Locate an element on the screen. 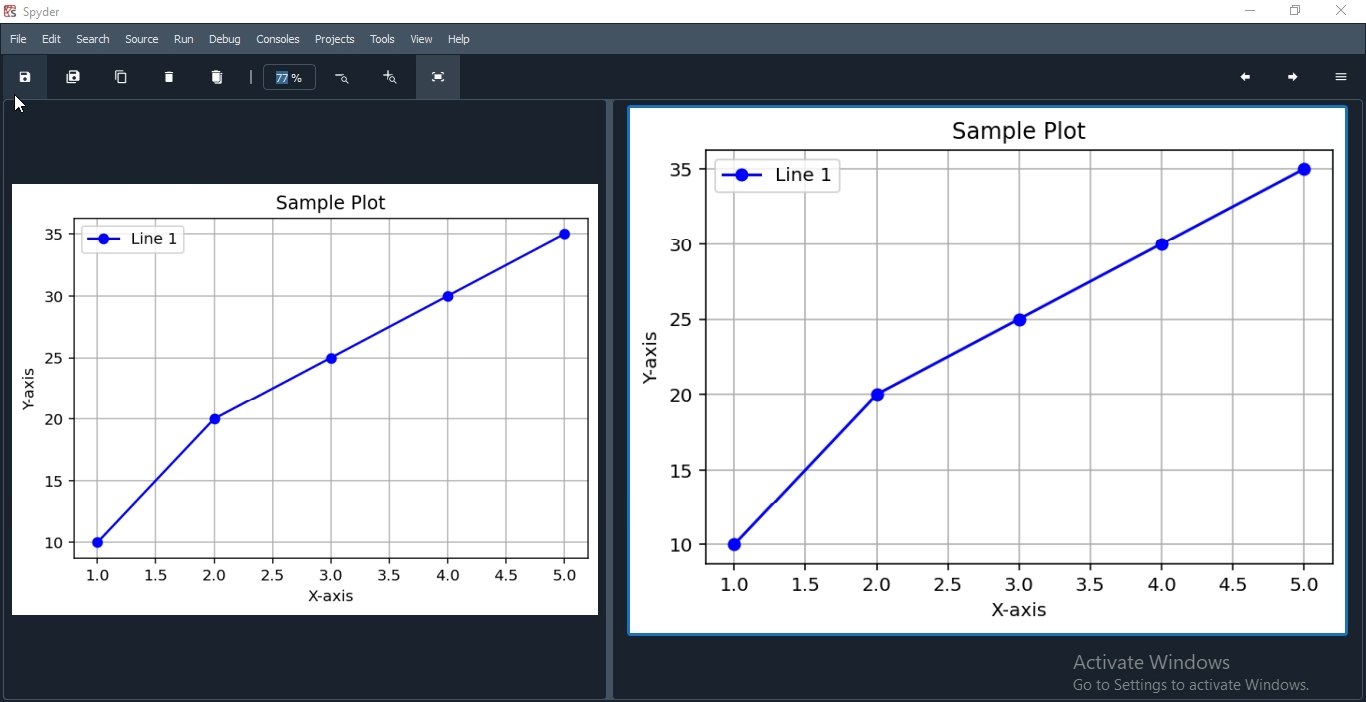  save all is located at coordinates (75, 74).